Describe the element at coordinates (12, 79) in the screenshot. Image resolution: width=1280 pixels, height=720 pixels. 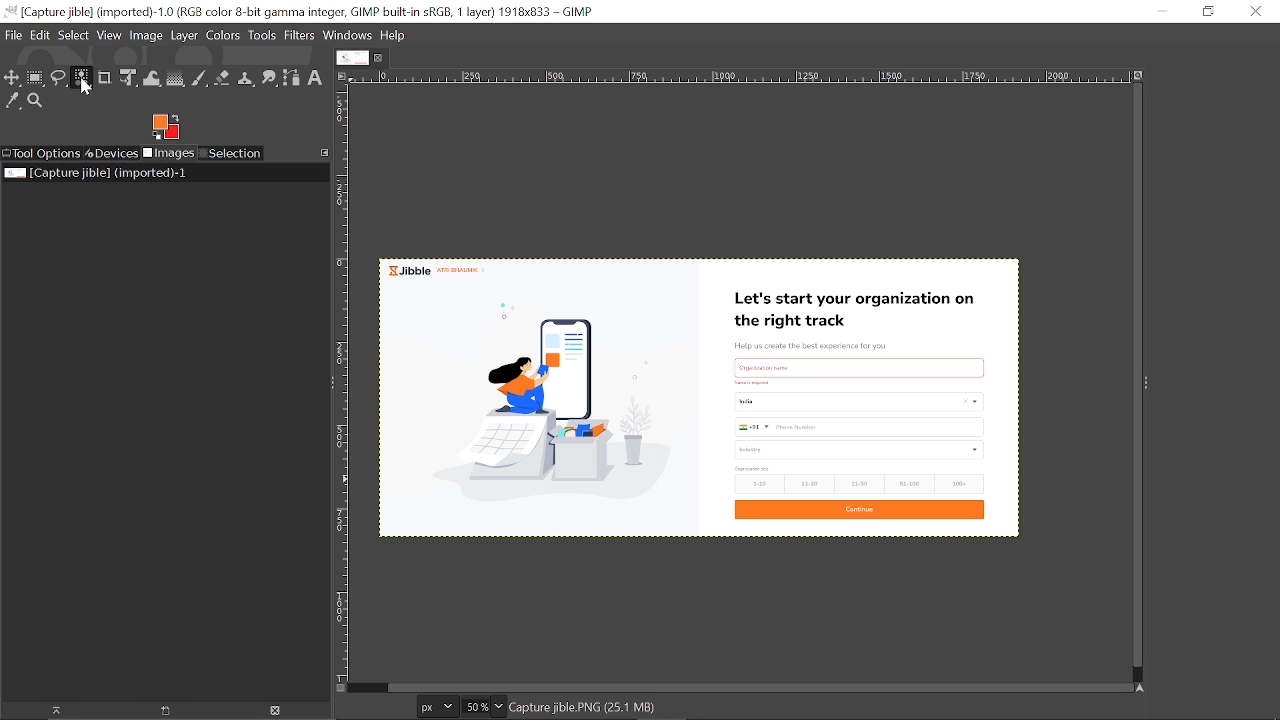
I see `Move tool` at that location.